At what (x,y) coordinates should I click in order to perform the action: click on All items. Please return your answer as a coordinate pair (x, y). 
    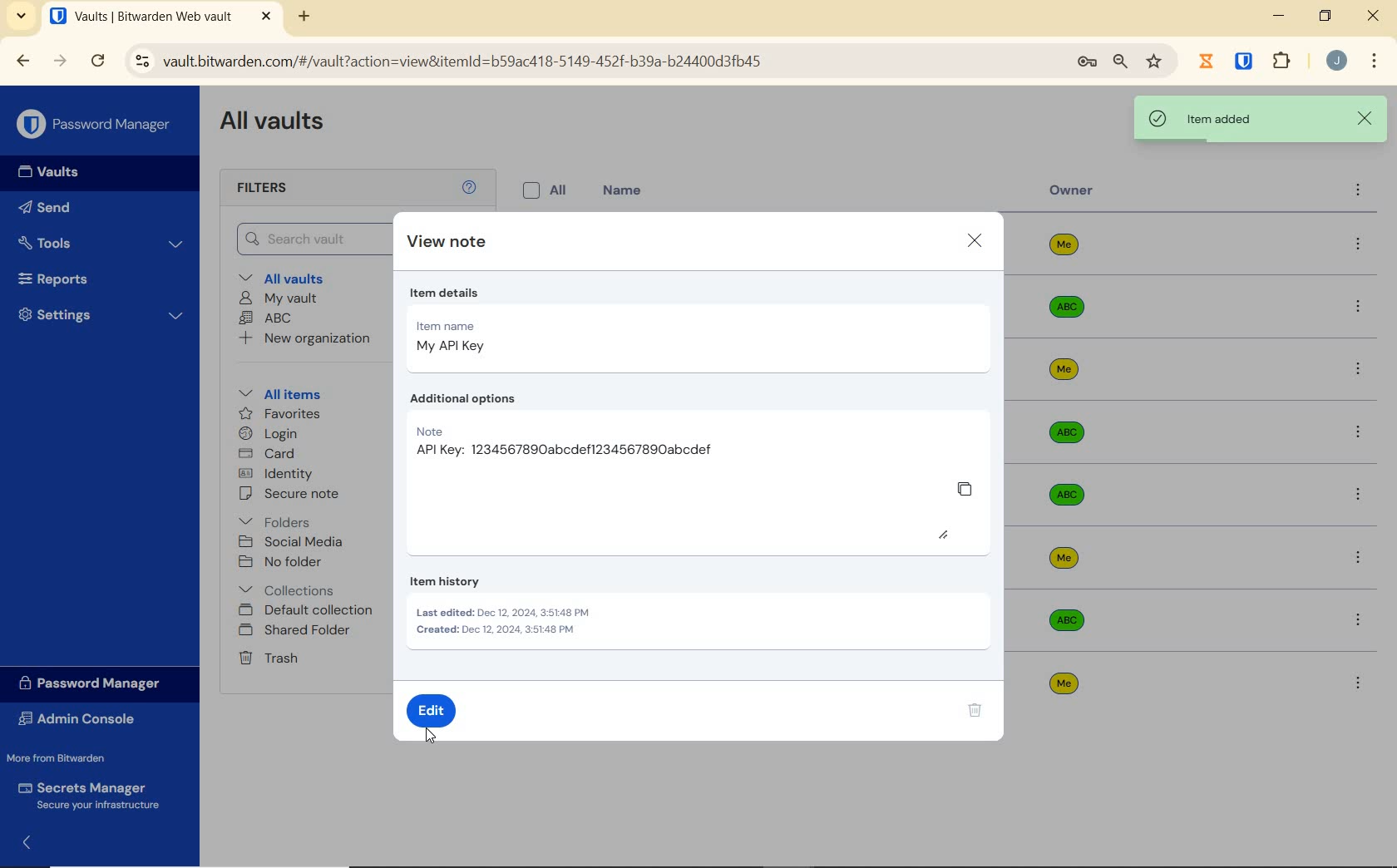
    Looking at the image, I should click on (292, 394).